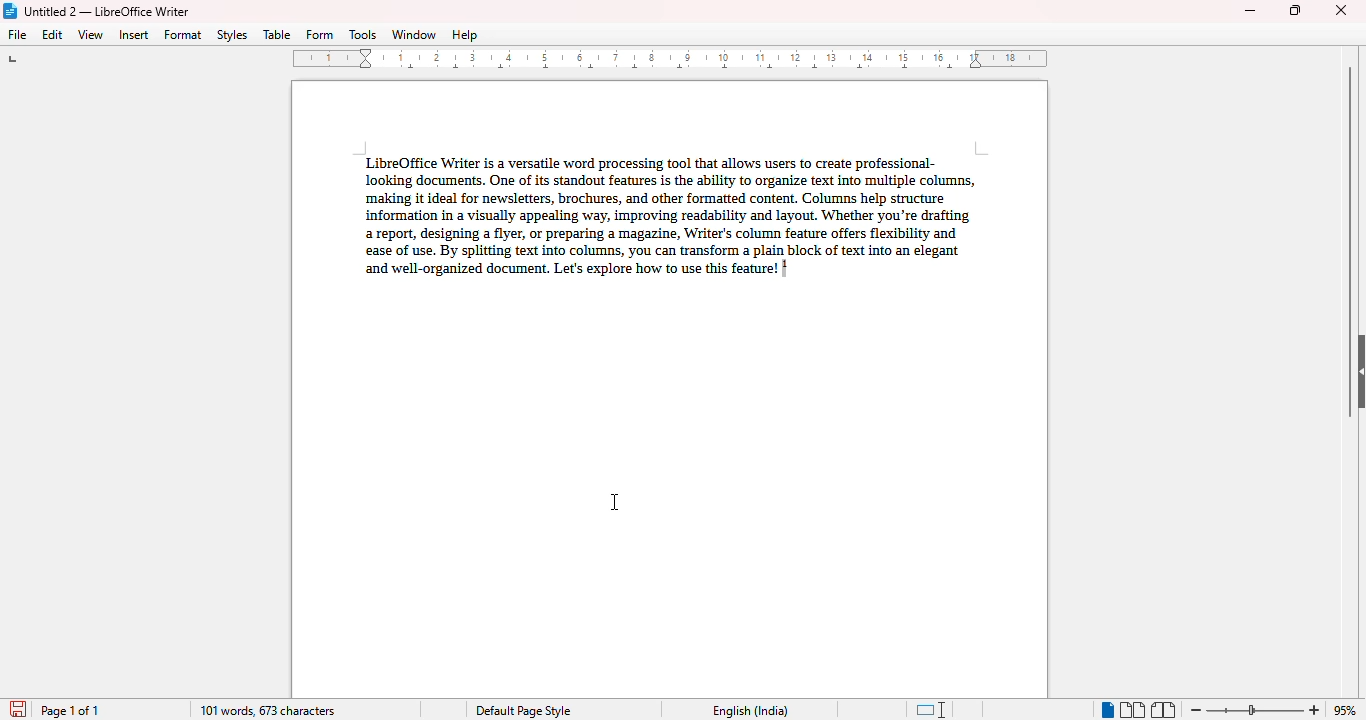 Image resolution: width=1366 pixels, height=720 pixels. Describe the element at coordinates (320, 35) in the screenshot. I see `form` at that location.